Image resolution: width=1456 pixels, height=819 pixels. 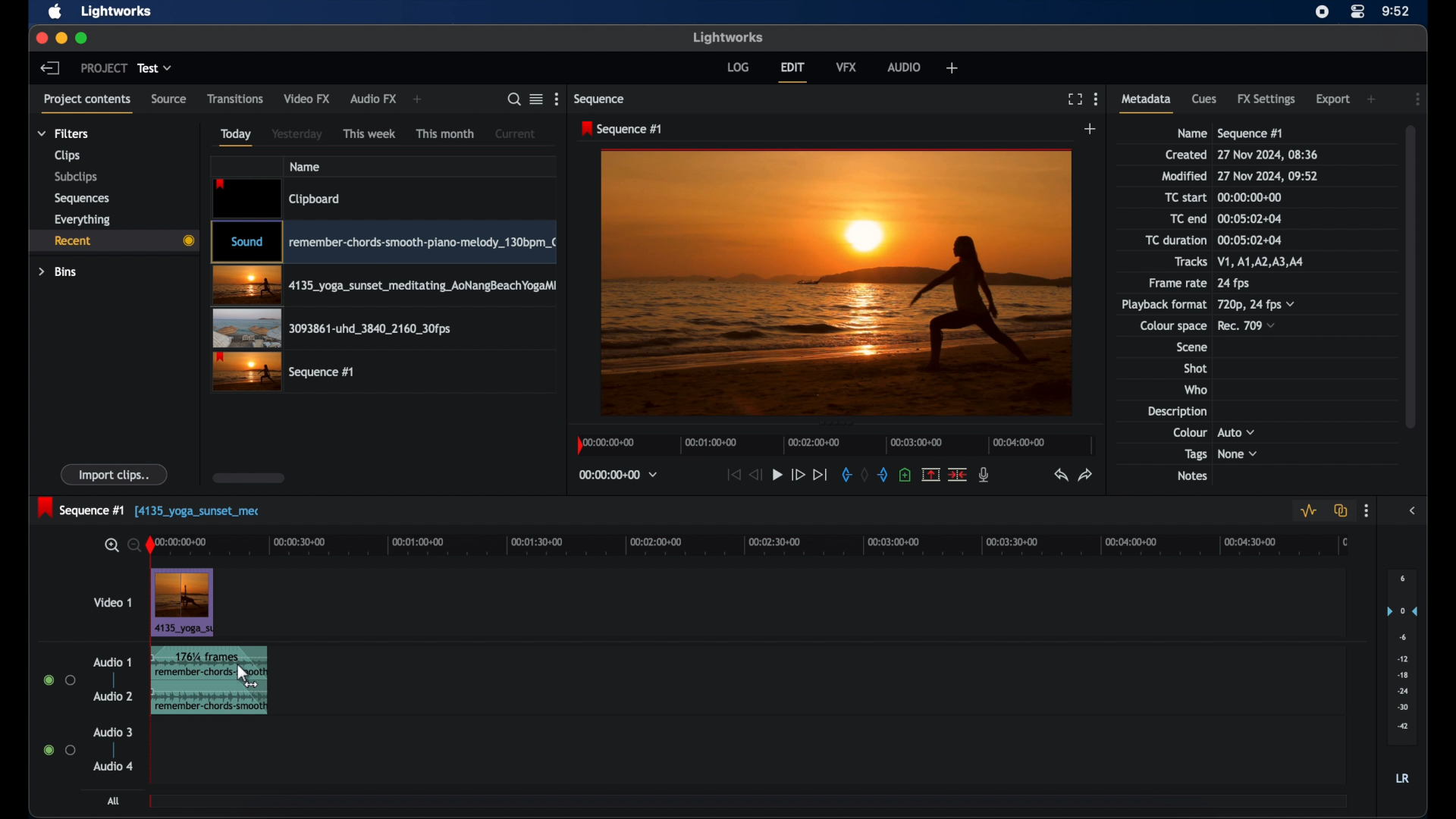 I want to click on tc end, so click(x=1250, y=218).